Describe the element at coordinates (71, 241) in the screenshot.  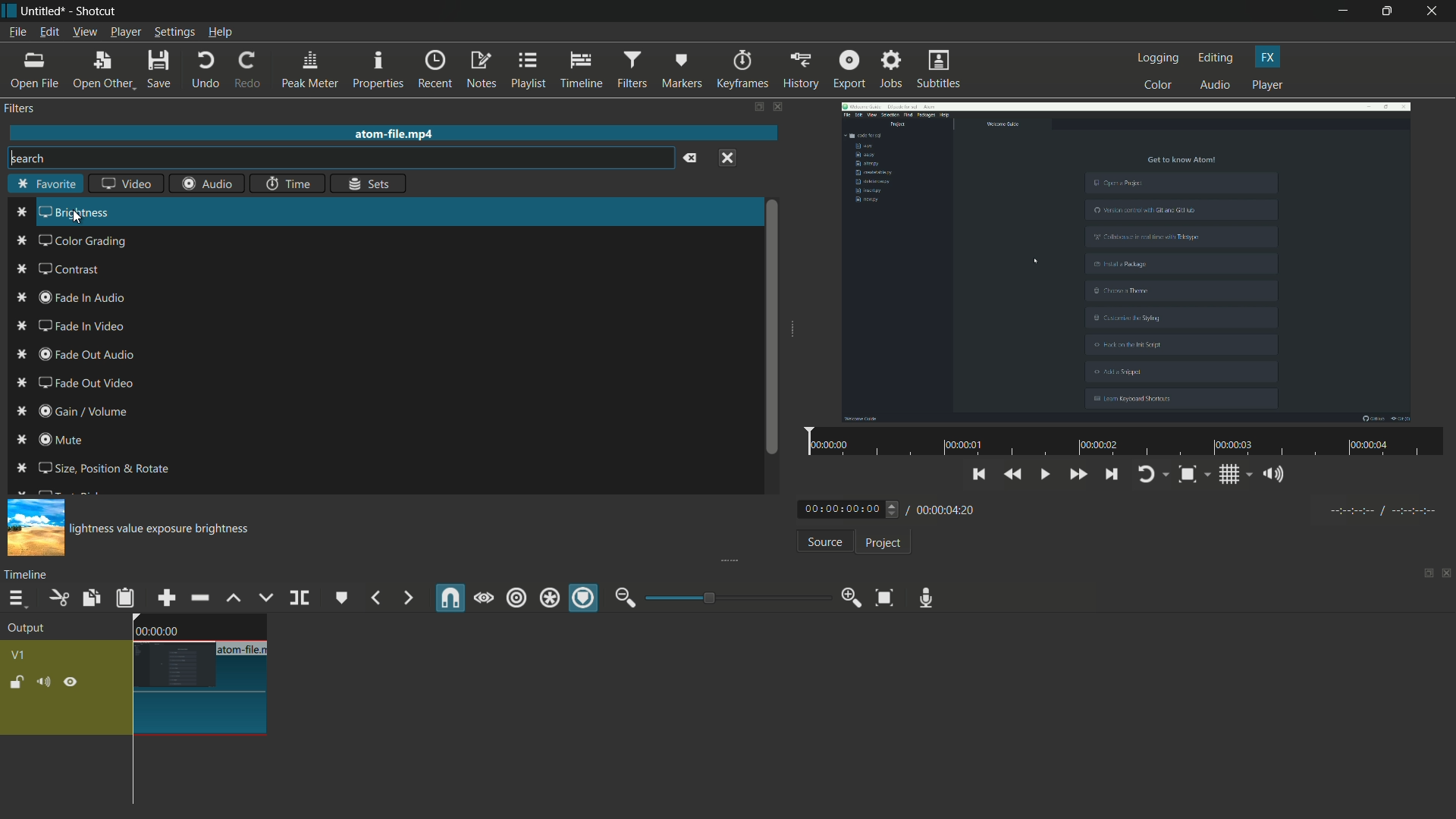
I see `color grading` at that location.